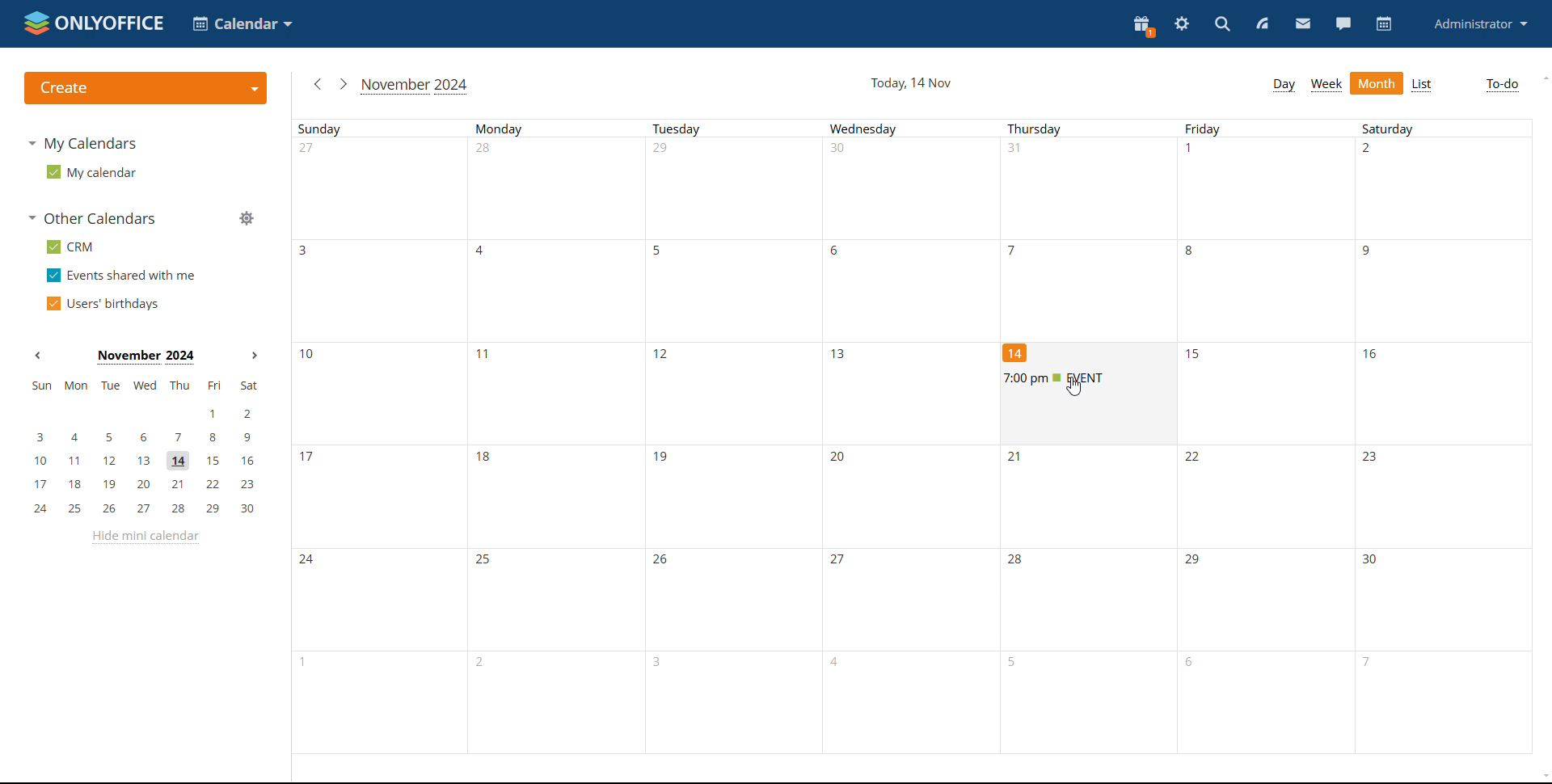 This screenshot has height=784, width=1552. I want to click on events shared with me, so click(123, 276).